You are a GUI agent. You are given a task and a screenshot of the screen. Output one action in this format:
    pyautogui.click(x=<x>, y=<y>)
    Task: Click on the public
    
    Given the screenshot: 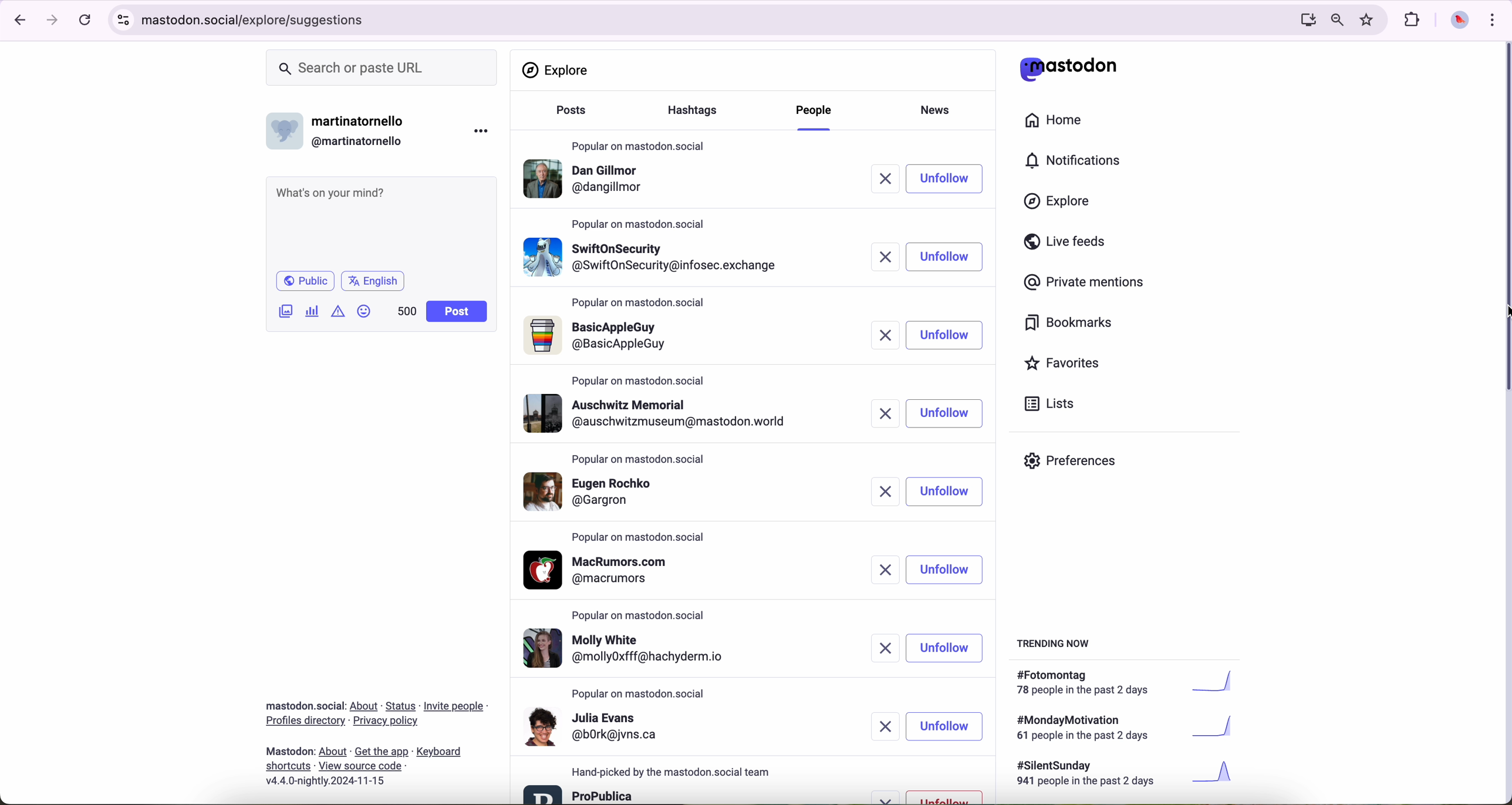 What is the action you would take?
    pyautogui.click(x=304, y=281)
    